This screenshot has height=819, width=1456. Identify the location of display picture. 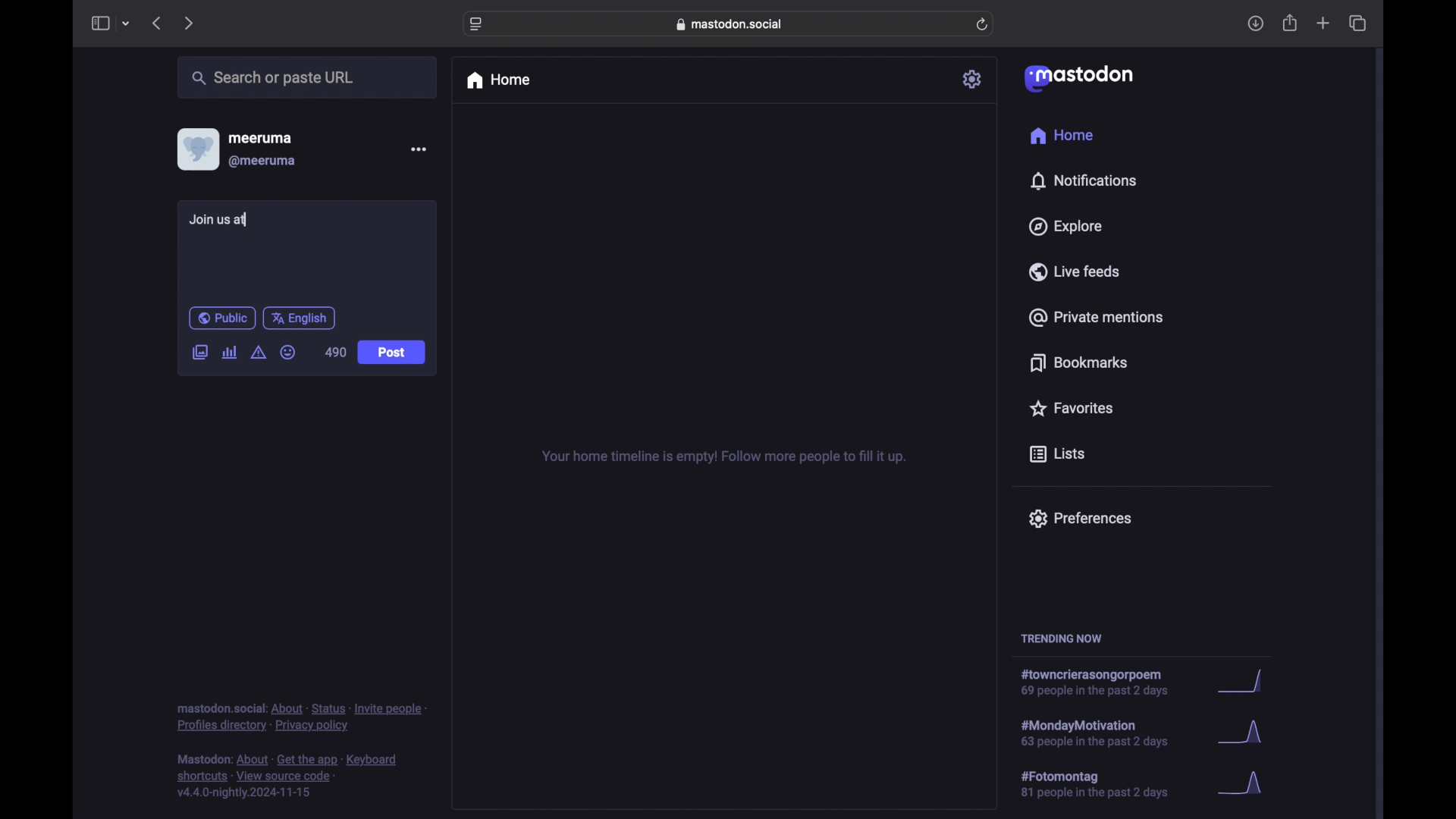
(196, 149).